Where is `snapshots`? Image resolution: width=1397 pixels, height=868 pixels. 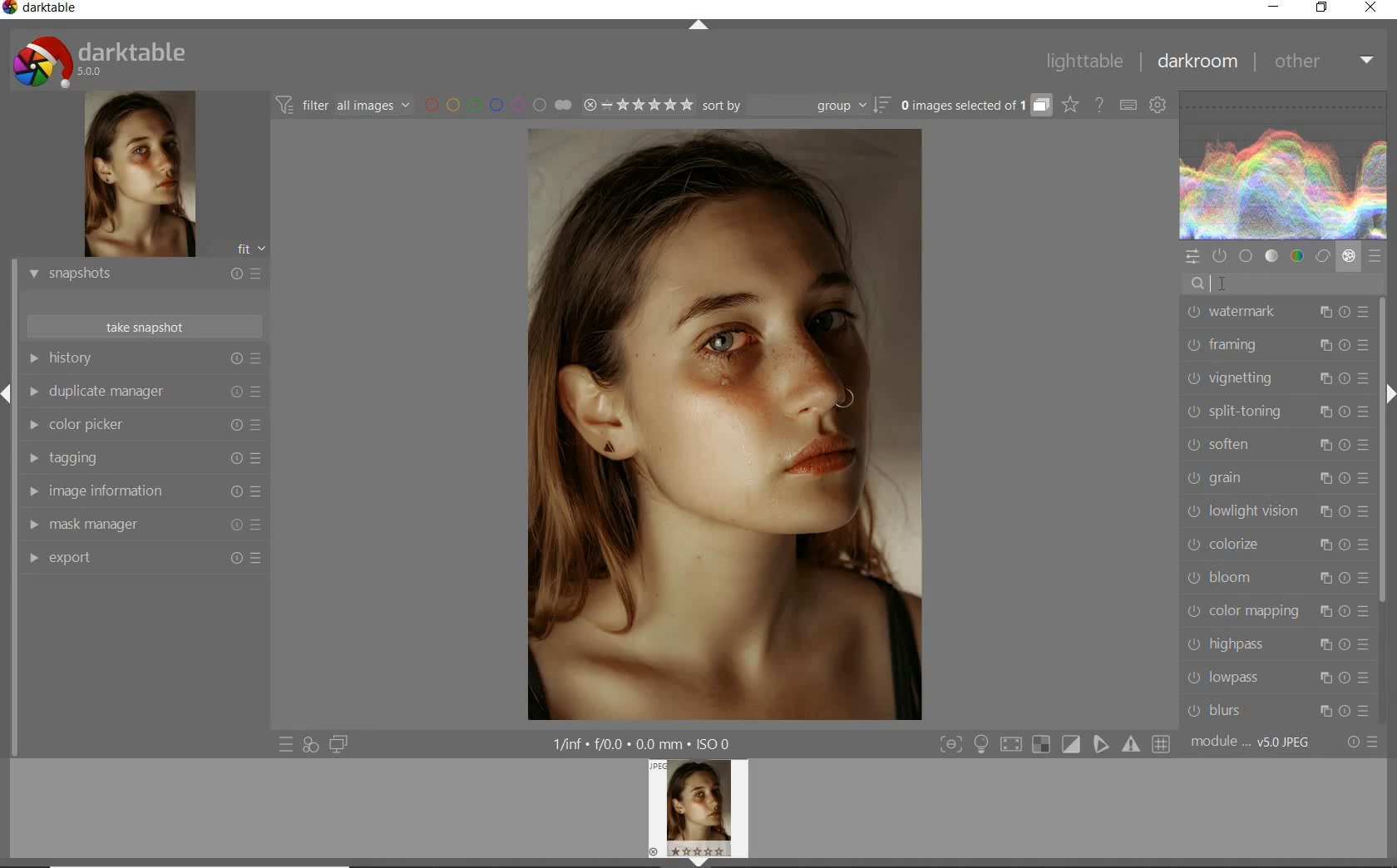 snapshots is located at coordinates (142, 274).